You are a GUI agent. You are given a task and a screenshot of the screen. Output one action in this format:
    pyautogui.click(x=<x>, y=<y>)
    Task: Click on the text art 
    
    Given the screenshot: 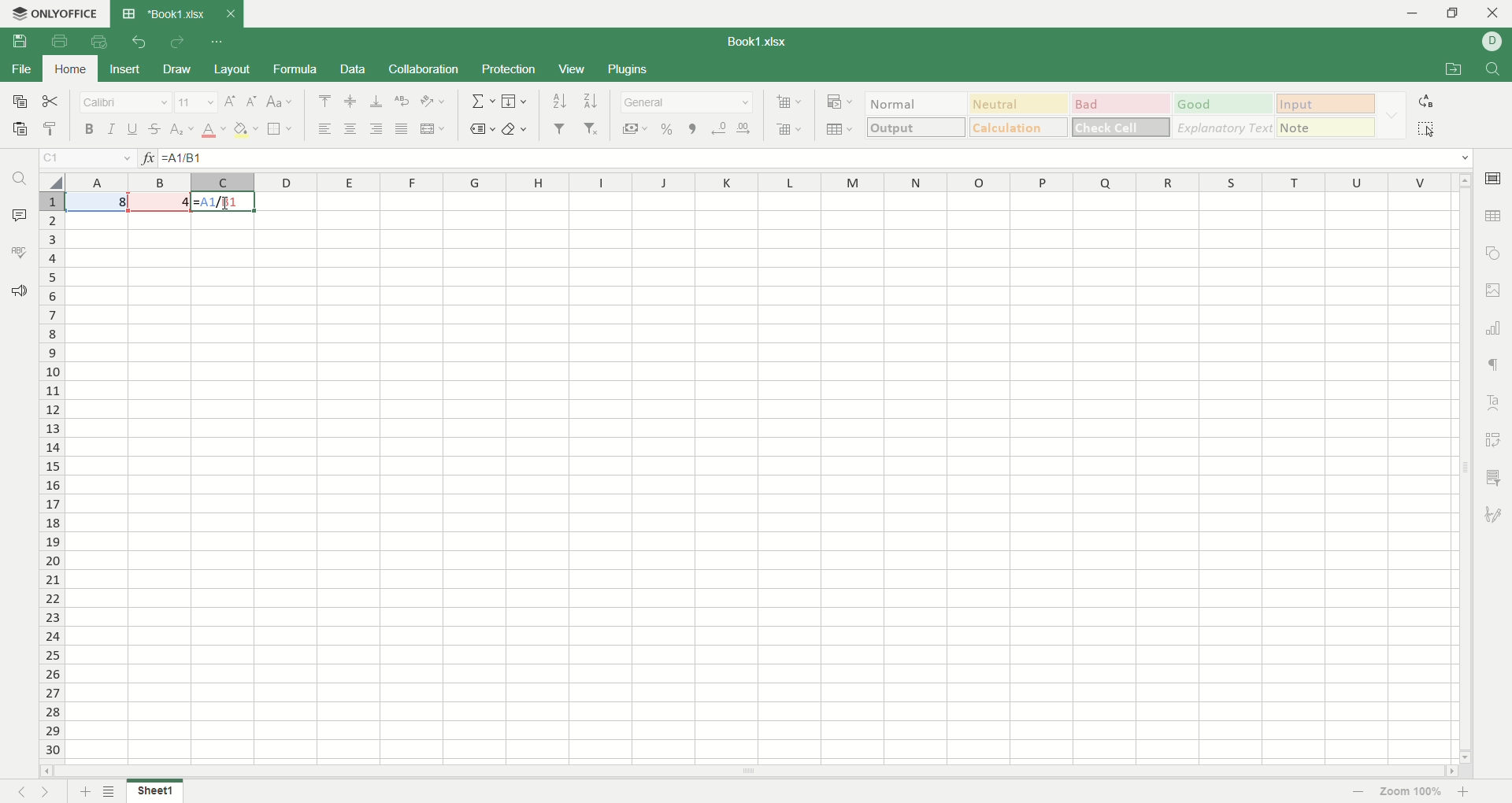 What is the action you would take?
    pyautogui.click(x=1495, y=404)
    